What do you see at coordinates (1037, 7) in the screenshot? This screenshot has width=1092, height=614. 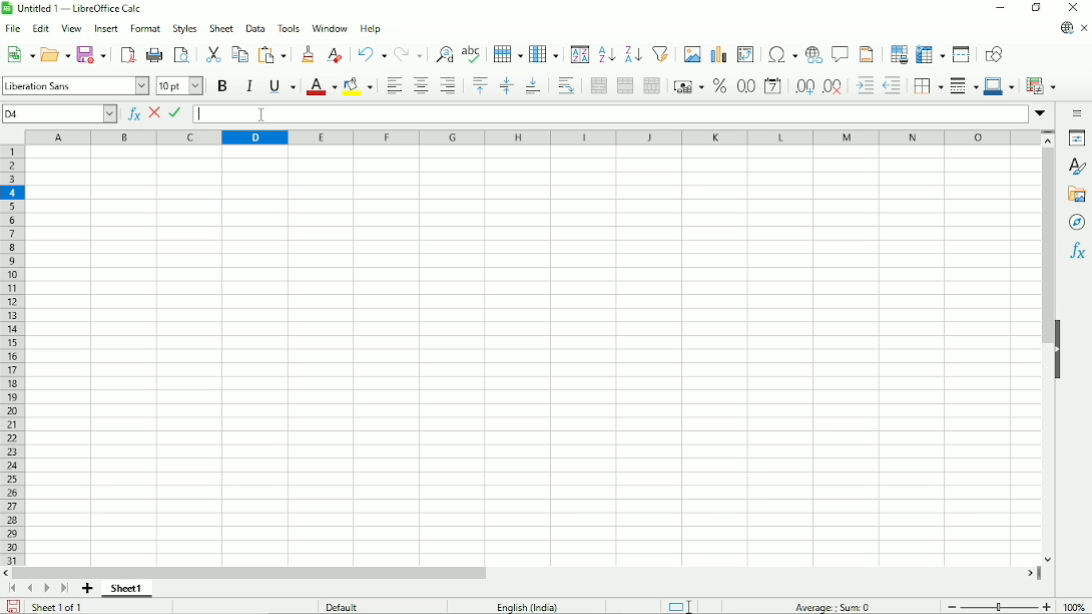 I see `Restore down` at bounding box center [1037, 7].